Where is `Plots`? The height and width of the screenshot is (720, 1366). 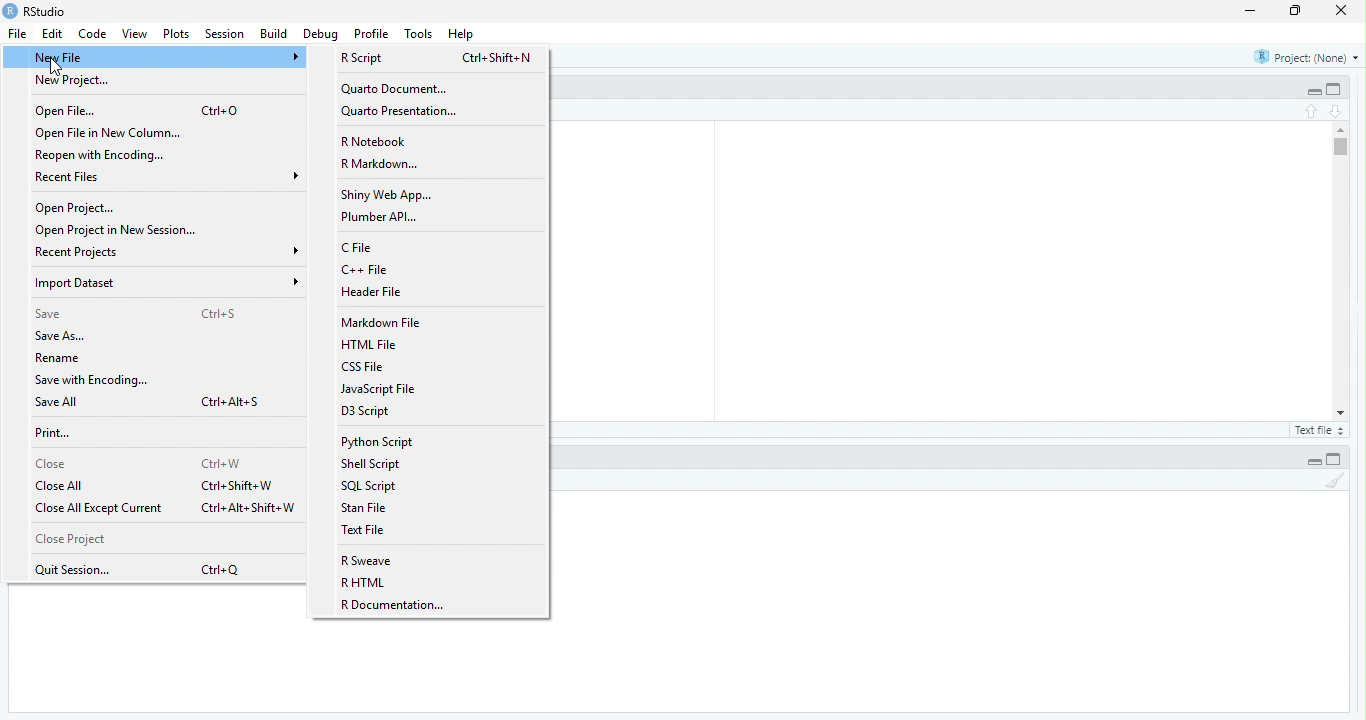
Plots is located at coordinates (178, 35).